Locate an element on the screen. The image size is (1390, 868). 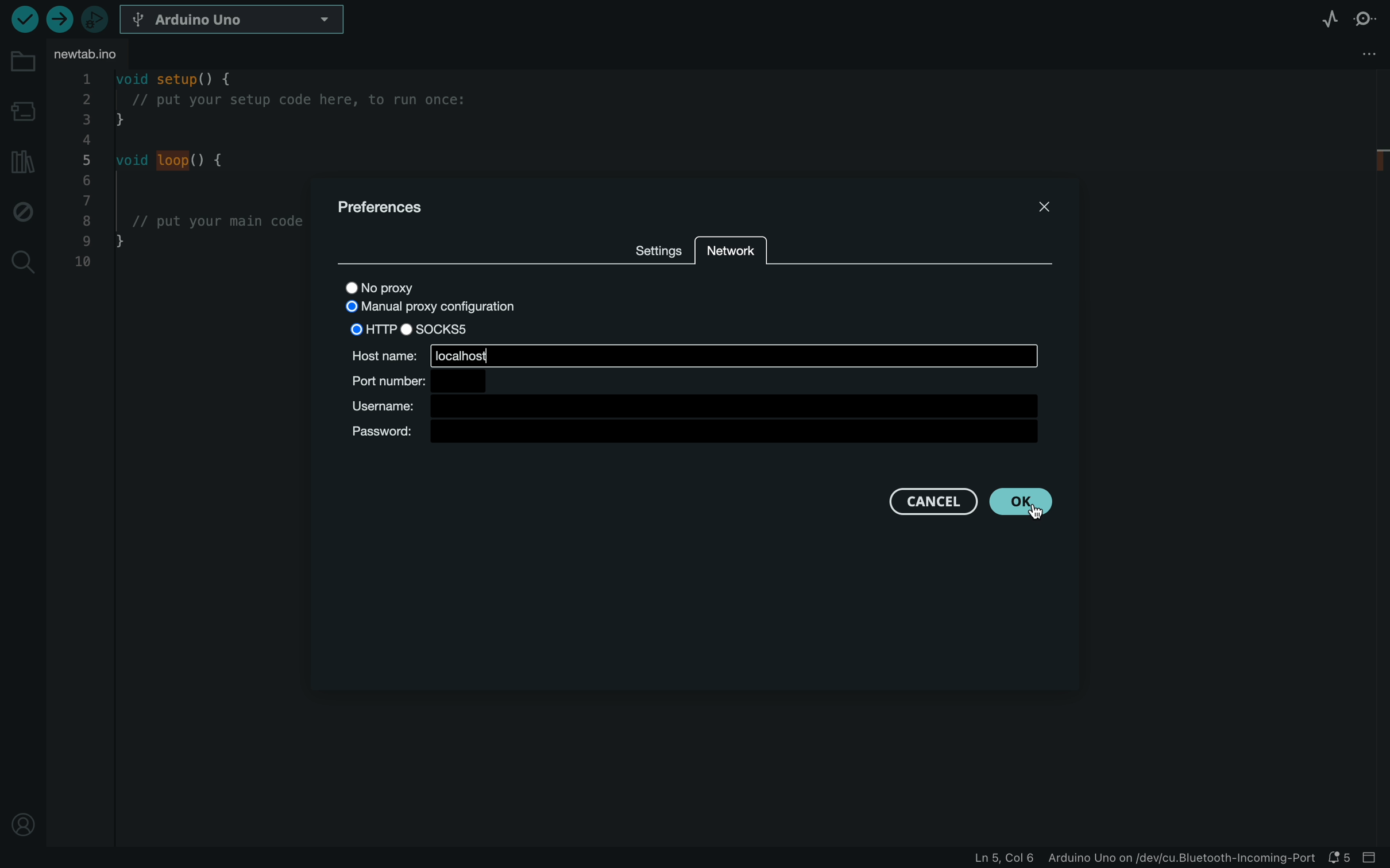
cancel is located at coordinates (925, 502).